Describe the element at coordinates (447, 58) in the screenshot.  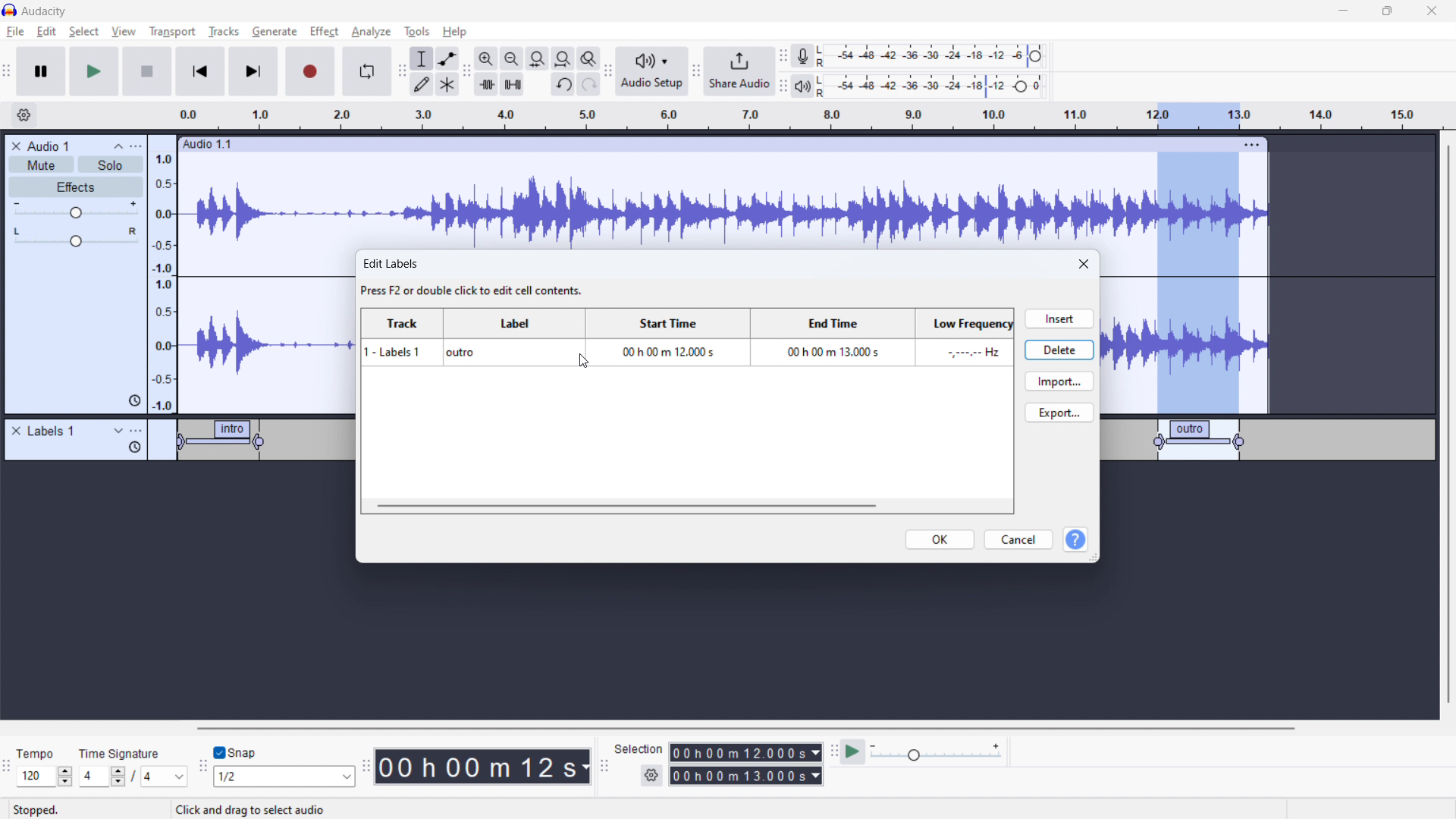
I see `envelop tool` at that location.